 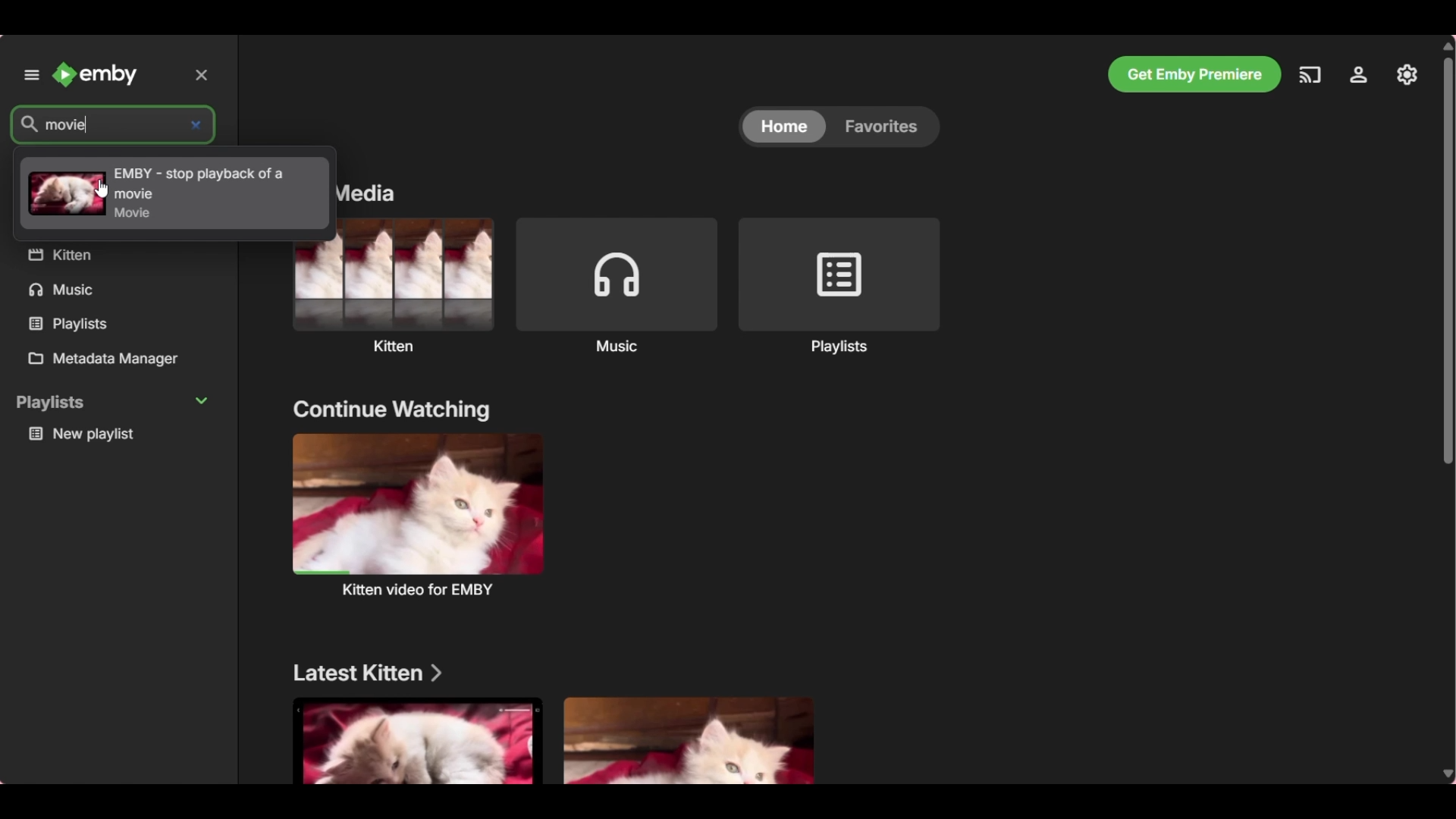 I want to click on Metadata manager, so click(x=119, y=360).